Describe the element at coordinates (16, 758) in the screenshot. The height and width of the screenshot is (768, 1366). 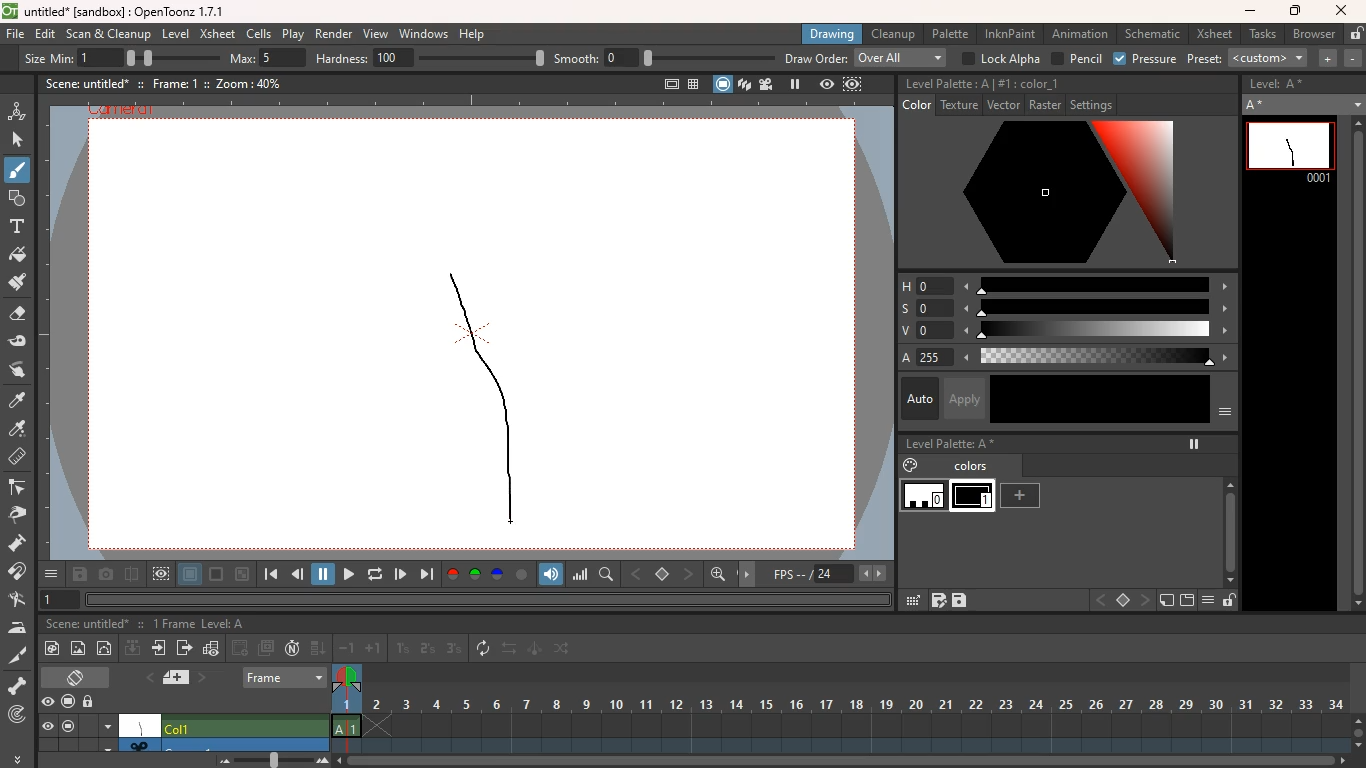
I see `more` at that location.